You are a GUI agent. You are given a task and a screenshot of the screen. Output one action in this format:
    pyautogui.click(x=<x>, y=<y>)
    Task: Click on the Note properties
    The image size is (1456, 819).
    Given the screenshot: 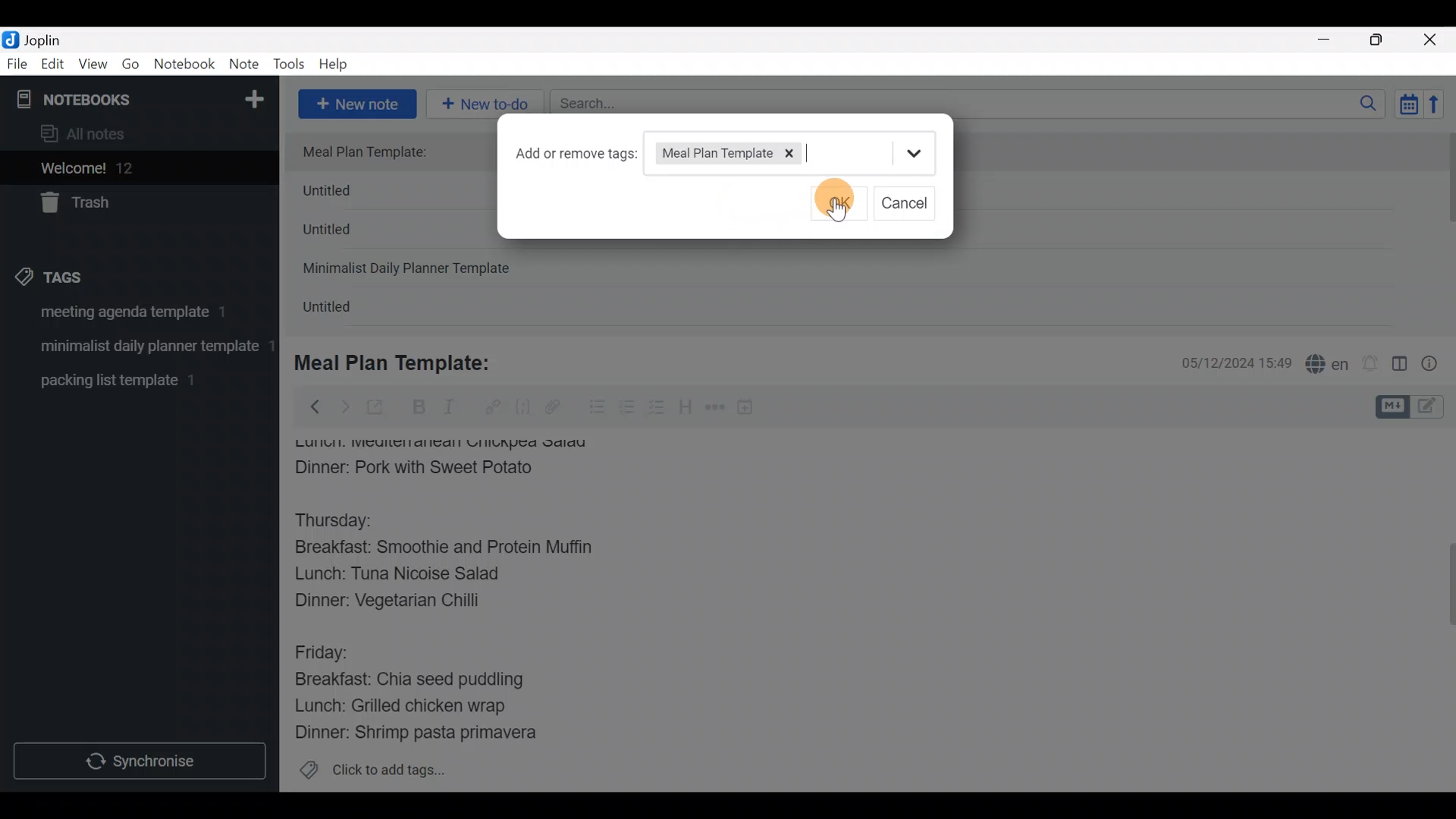 What is the action you would take?
    pyautogui.click(x=1436, y=365)
    